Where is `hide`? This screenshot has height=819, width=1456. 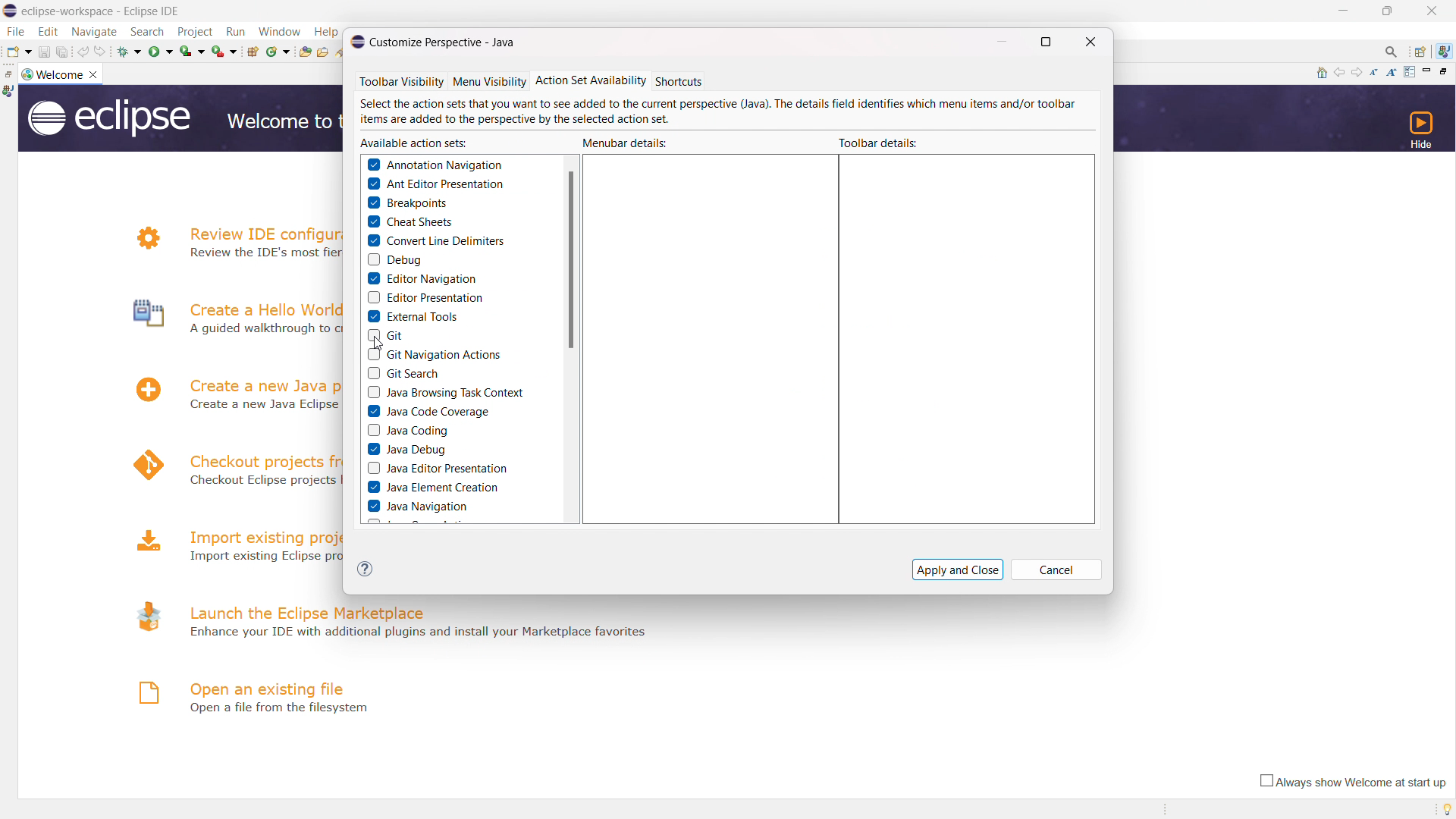
hide is located at coordinates (1419, 129).